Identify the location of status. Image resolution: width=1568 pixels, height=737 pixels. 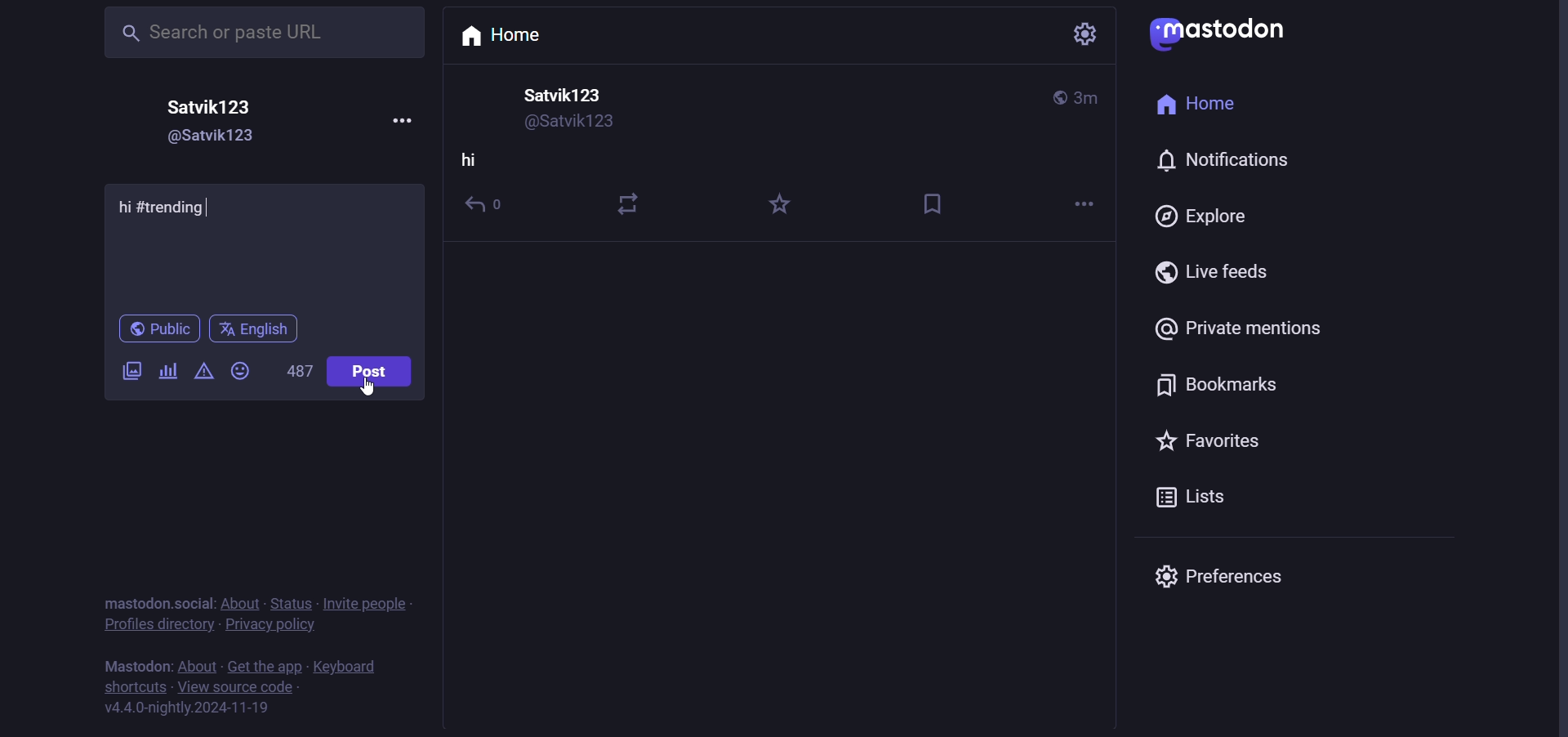
(291, 605).